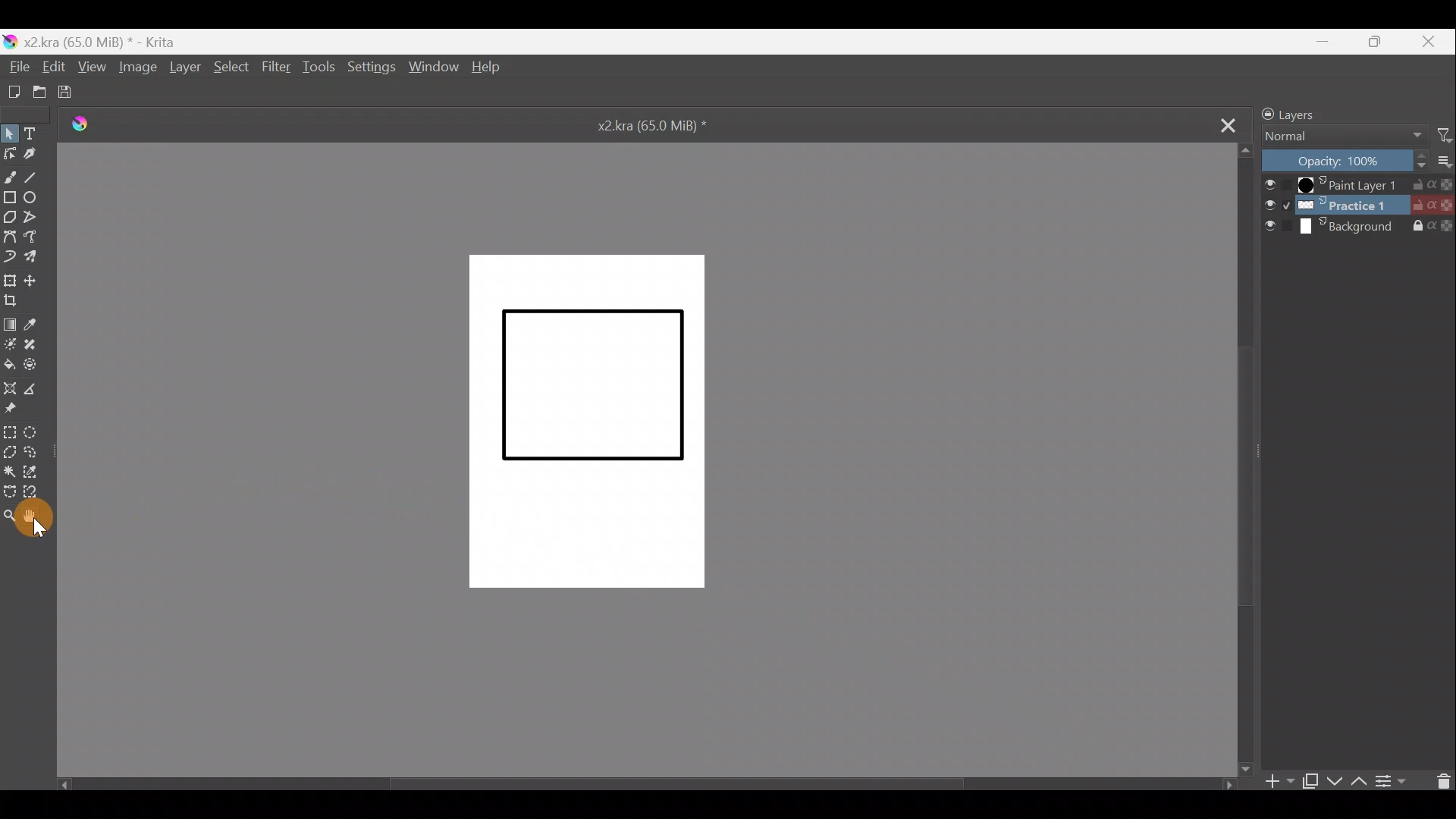 This screenshot has width=1456, height=819. Describe the element at coordinates (1309, 780) in the screenshot. I see `Duplicate layer` at that location.